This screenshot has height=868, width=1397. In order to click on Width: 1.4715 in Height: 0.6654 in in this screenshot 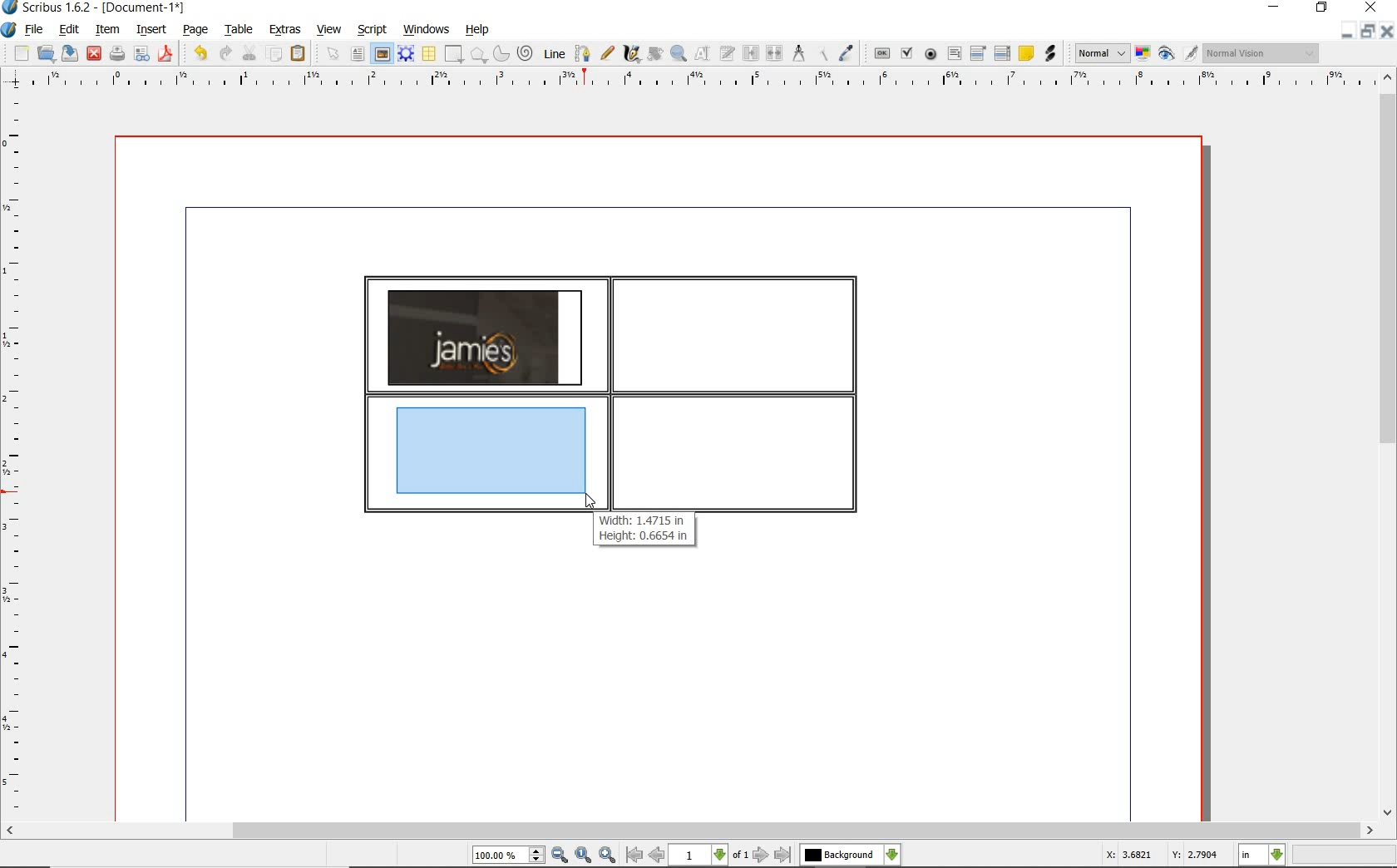, I will do `click(644, 527)`.